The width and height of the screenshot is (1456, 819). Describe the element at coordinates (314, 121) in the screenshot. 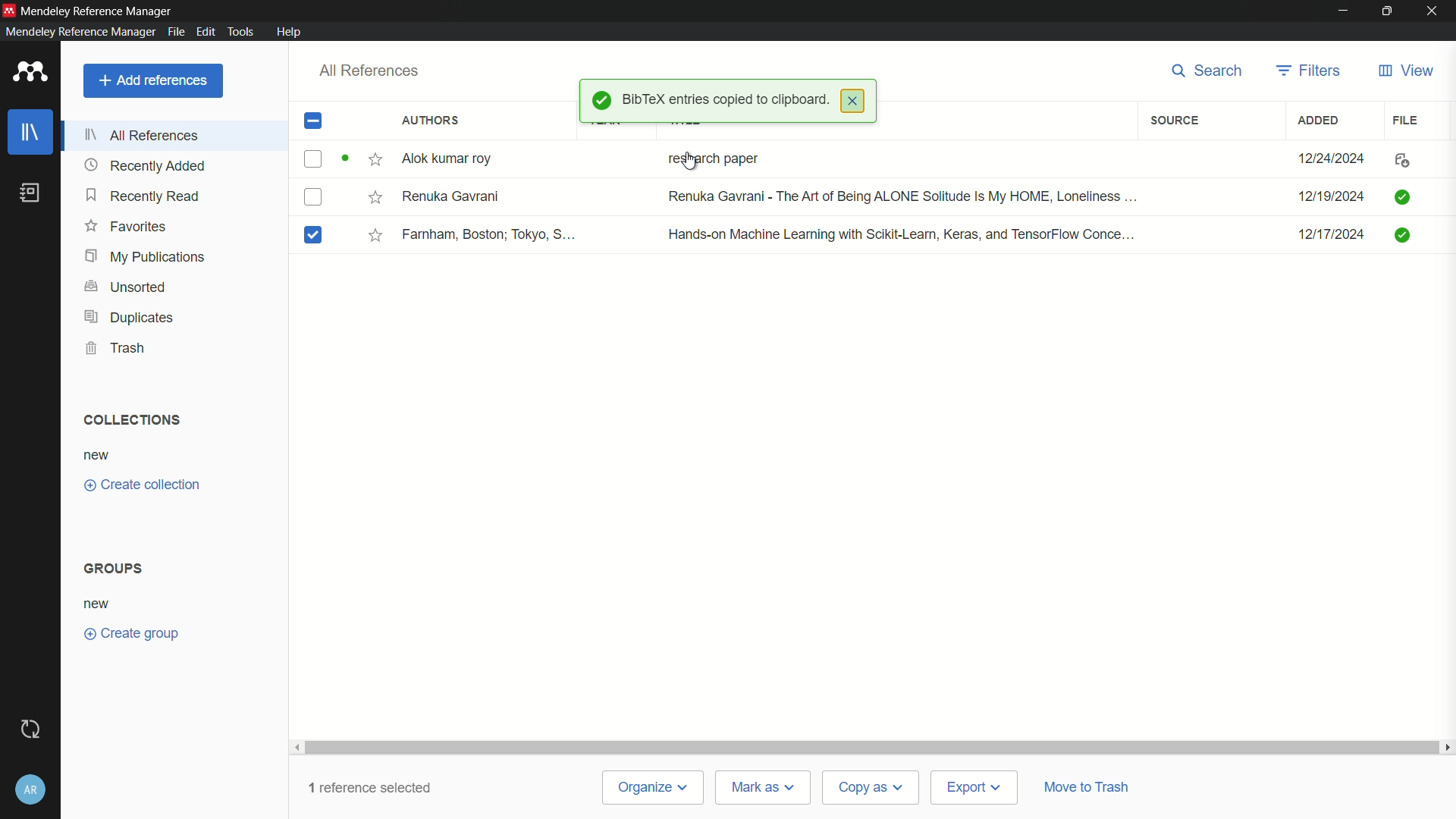

I see `check box` at that location.